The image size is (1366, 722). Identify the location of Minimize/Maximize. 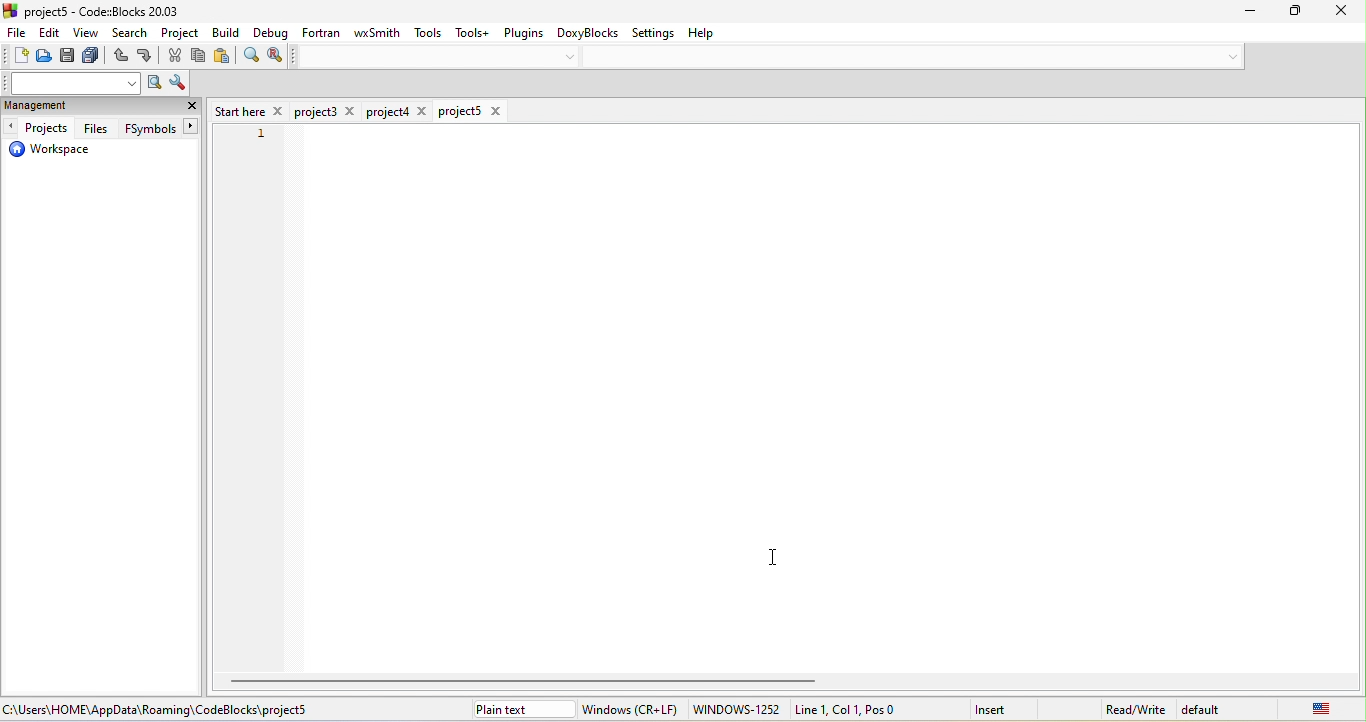
(1287, 12).